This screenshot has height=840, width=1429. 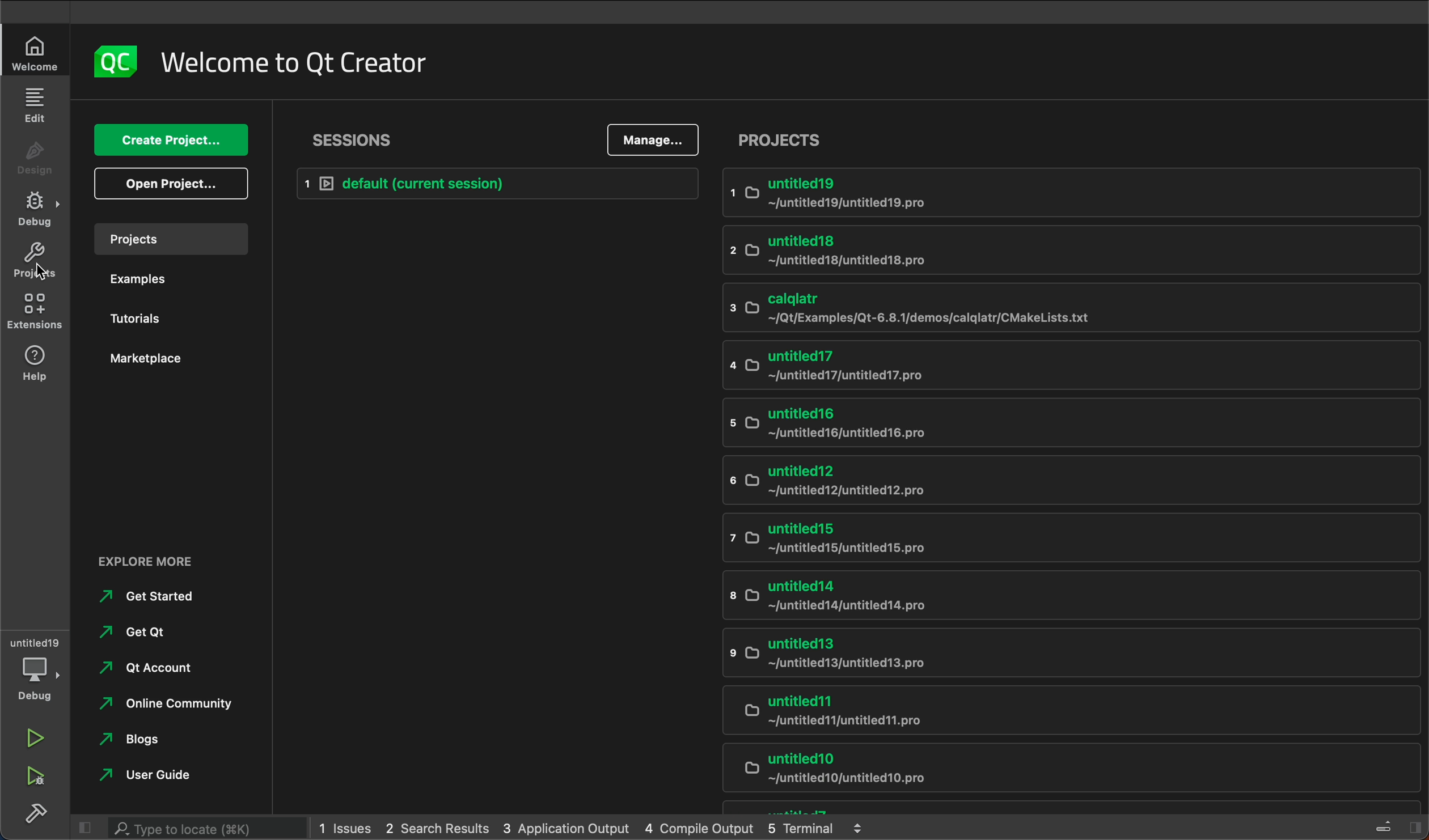 I want to click on online communication , so click(x=172, y=700).